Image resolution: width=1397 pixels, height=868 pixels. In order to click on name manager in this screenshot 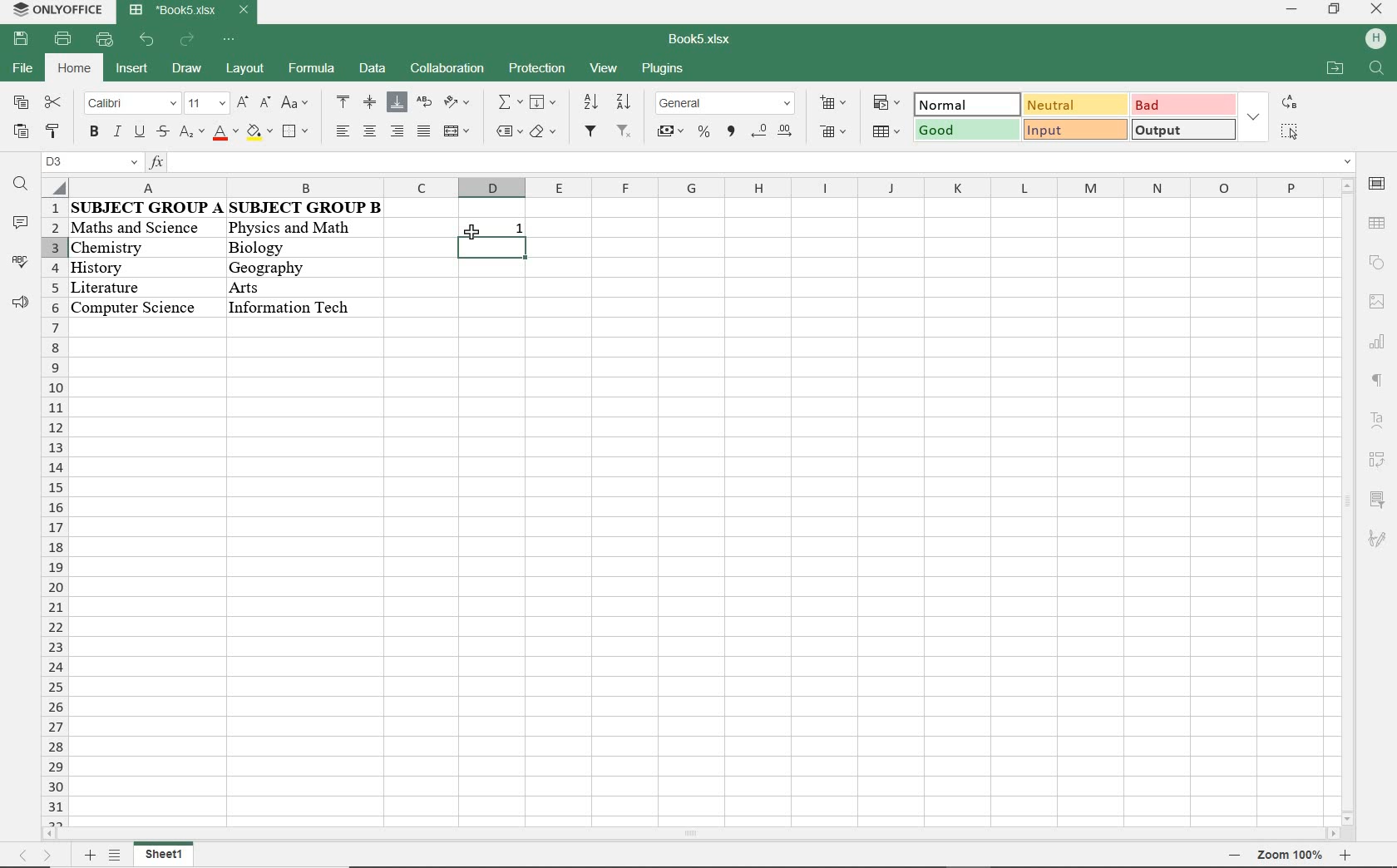, I will do `click(91, 162)`.